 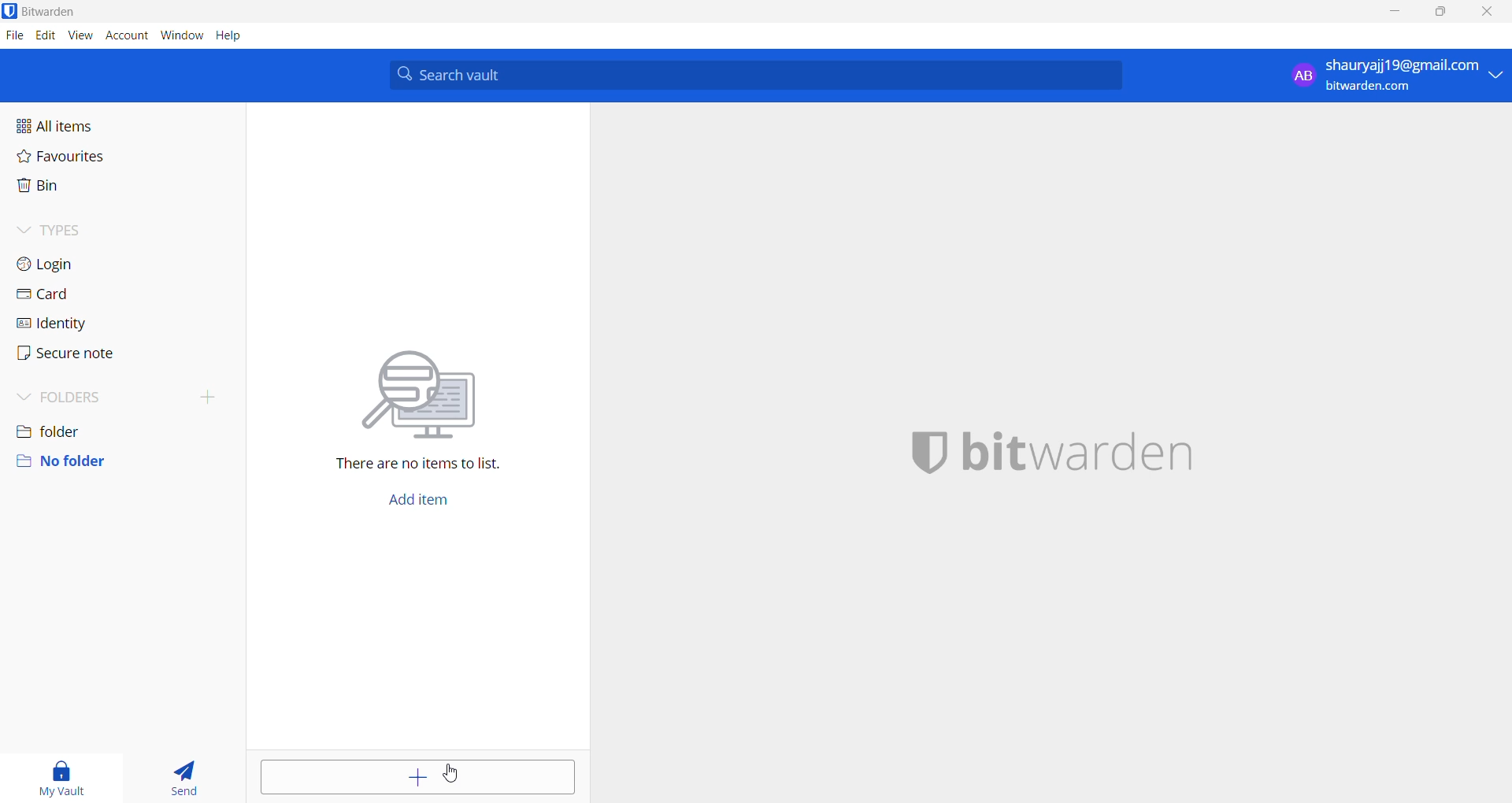 What do you see at coordinates (446, 775) in the screenshot?
I see `cursor` at bounding box center [446, 775].